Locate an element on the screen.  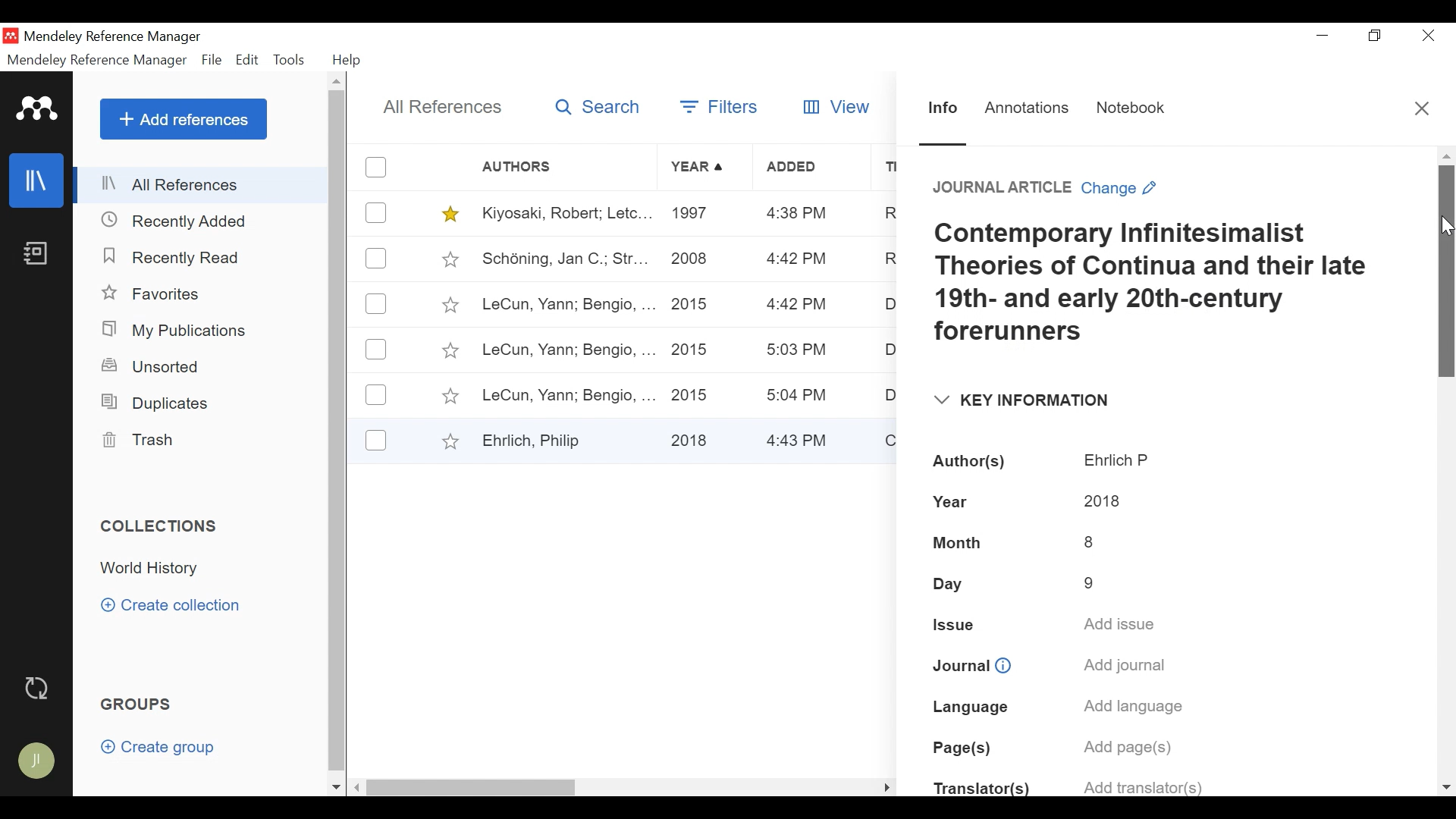
4:42 PM is located at coordinates (794, 306).